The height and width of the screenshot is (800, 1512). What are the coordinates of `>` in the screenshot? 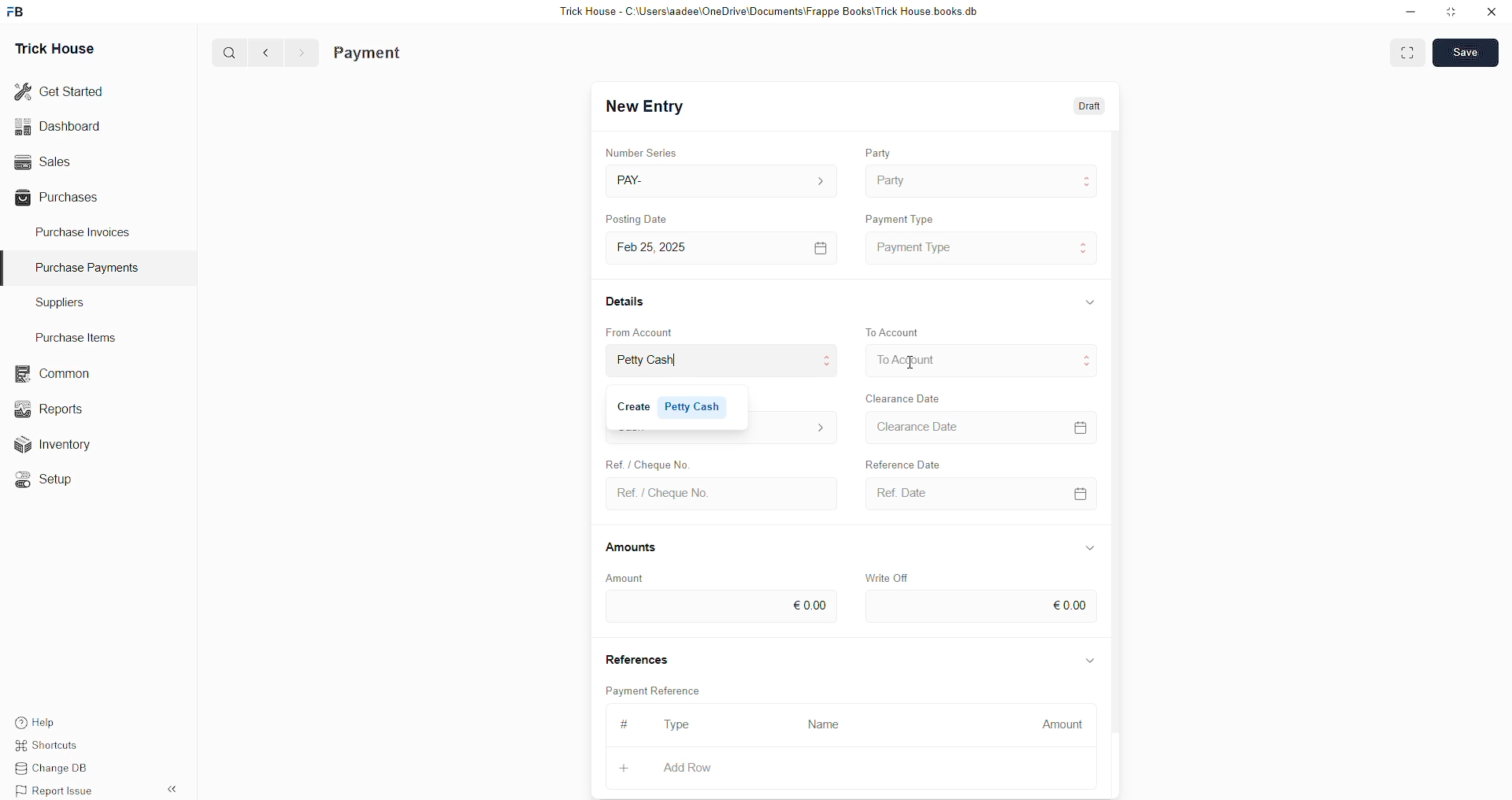 It's located at (301, 53).